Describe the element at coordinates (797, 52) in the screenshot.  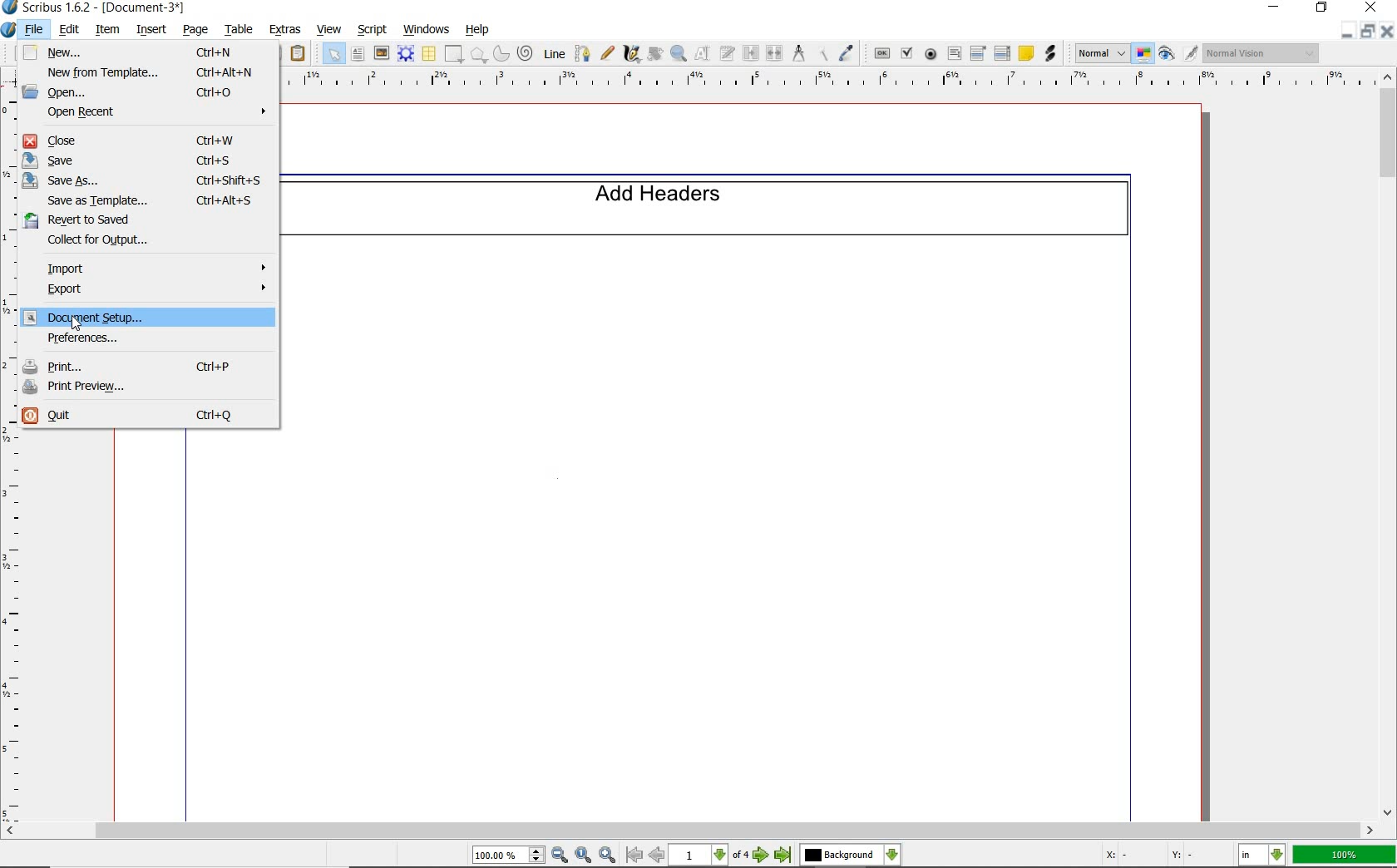
I see `measurements` at that location.